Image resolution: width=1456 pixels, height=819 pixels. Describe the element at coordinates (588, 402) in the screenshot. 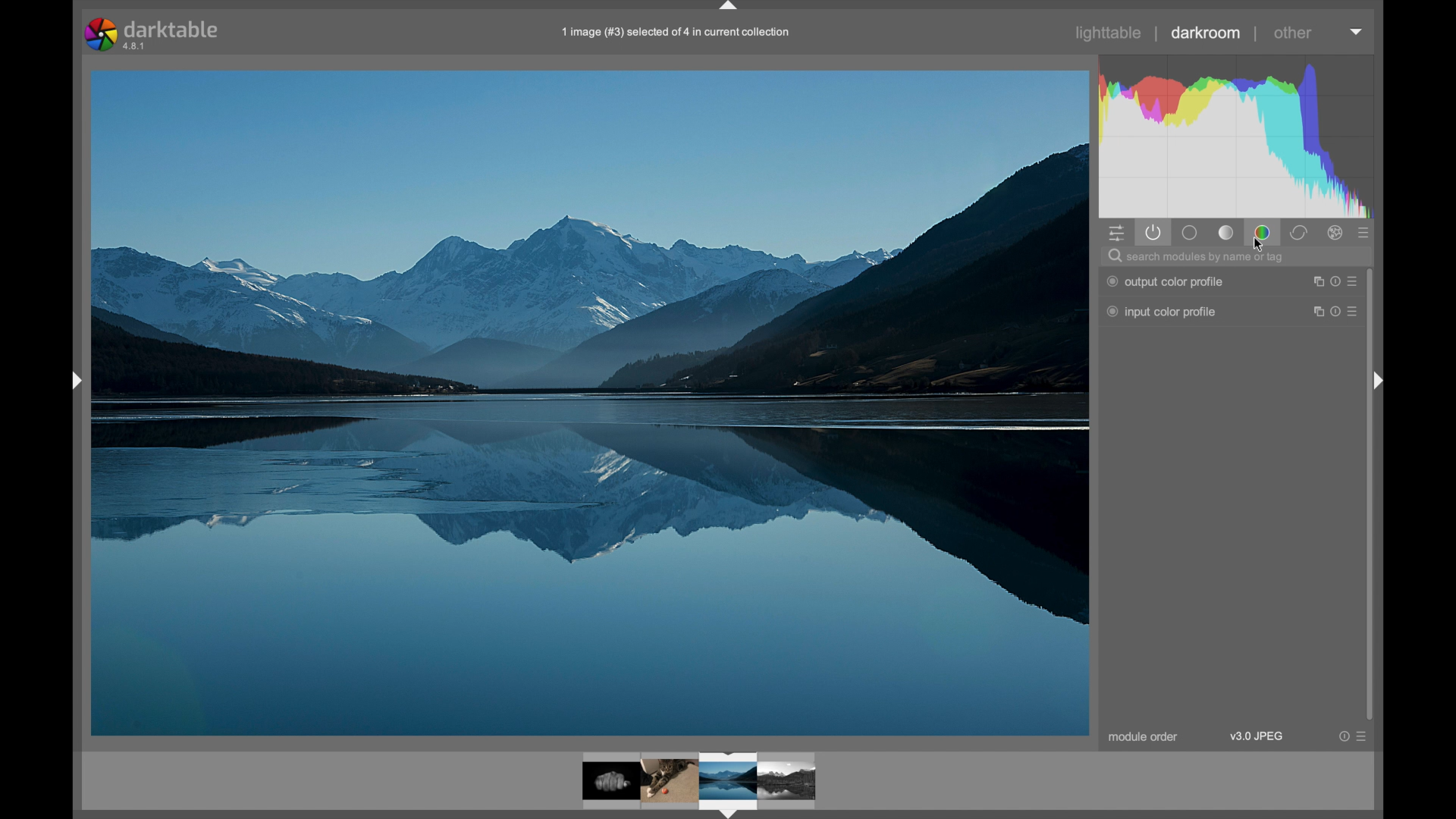

I see `photo preview` at that location.